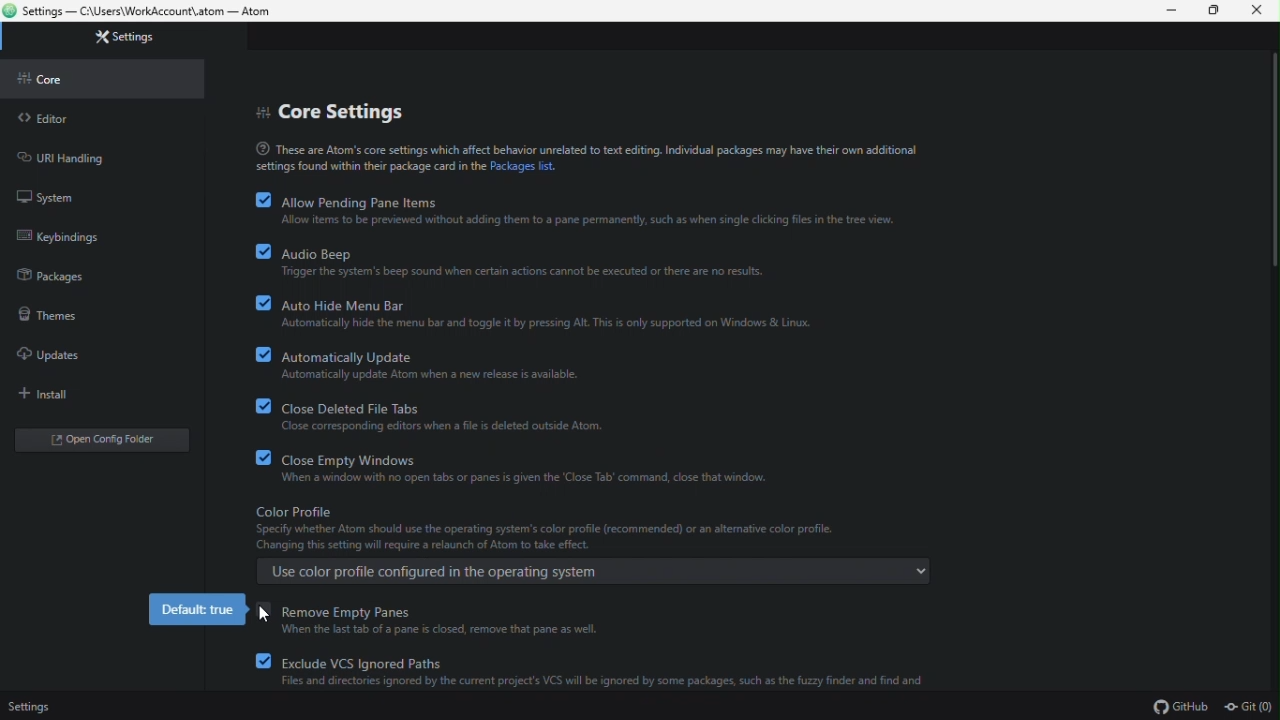 This screenshot has width=1280, height=720. I want to click on remove empty panes, so click(452, 622).